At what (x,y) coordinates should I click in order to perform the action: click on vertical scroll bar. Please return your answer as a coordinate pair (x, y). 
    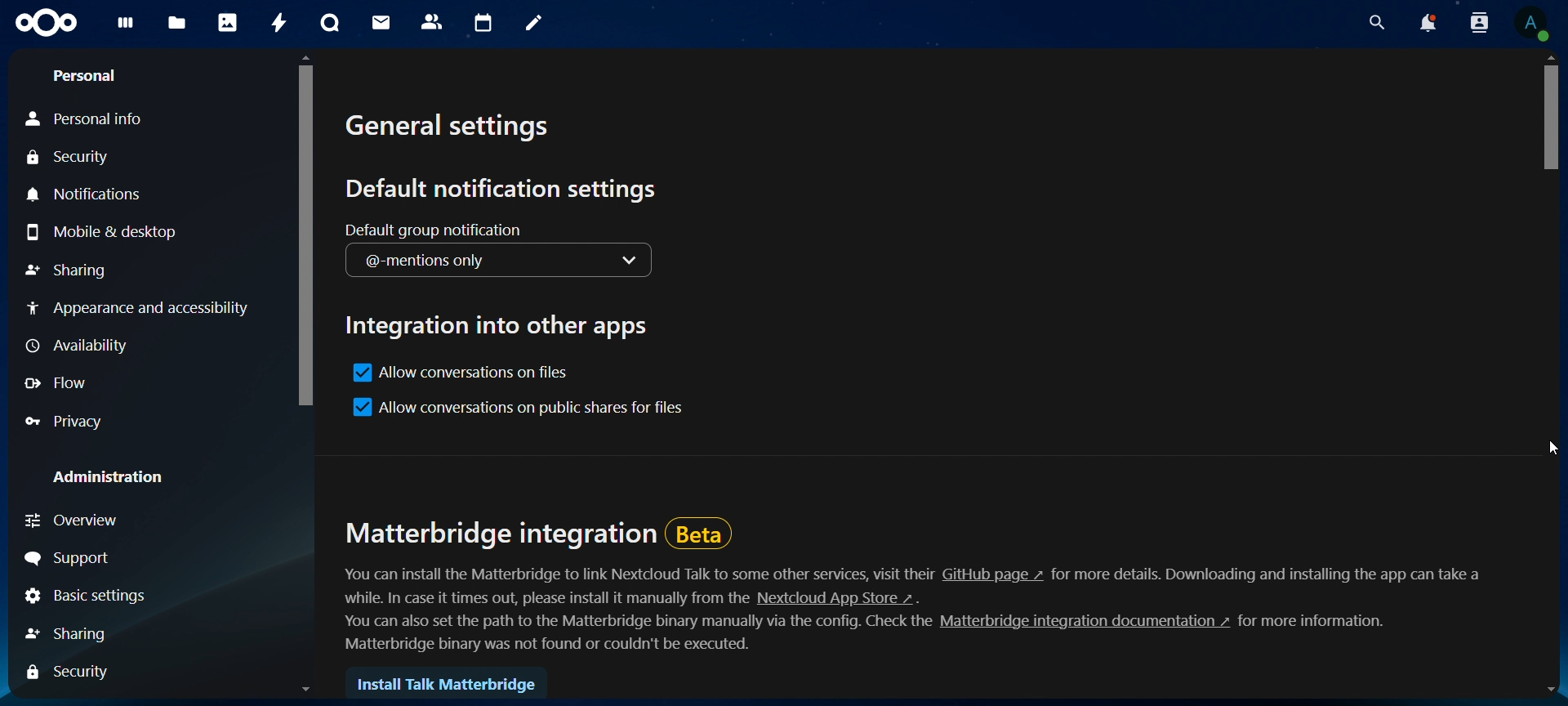
    Looking at the image, I should click on (1548, 119).